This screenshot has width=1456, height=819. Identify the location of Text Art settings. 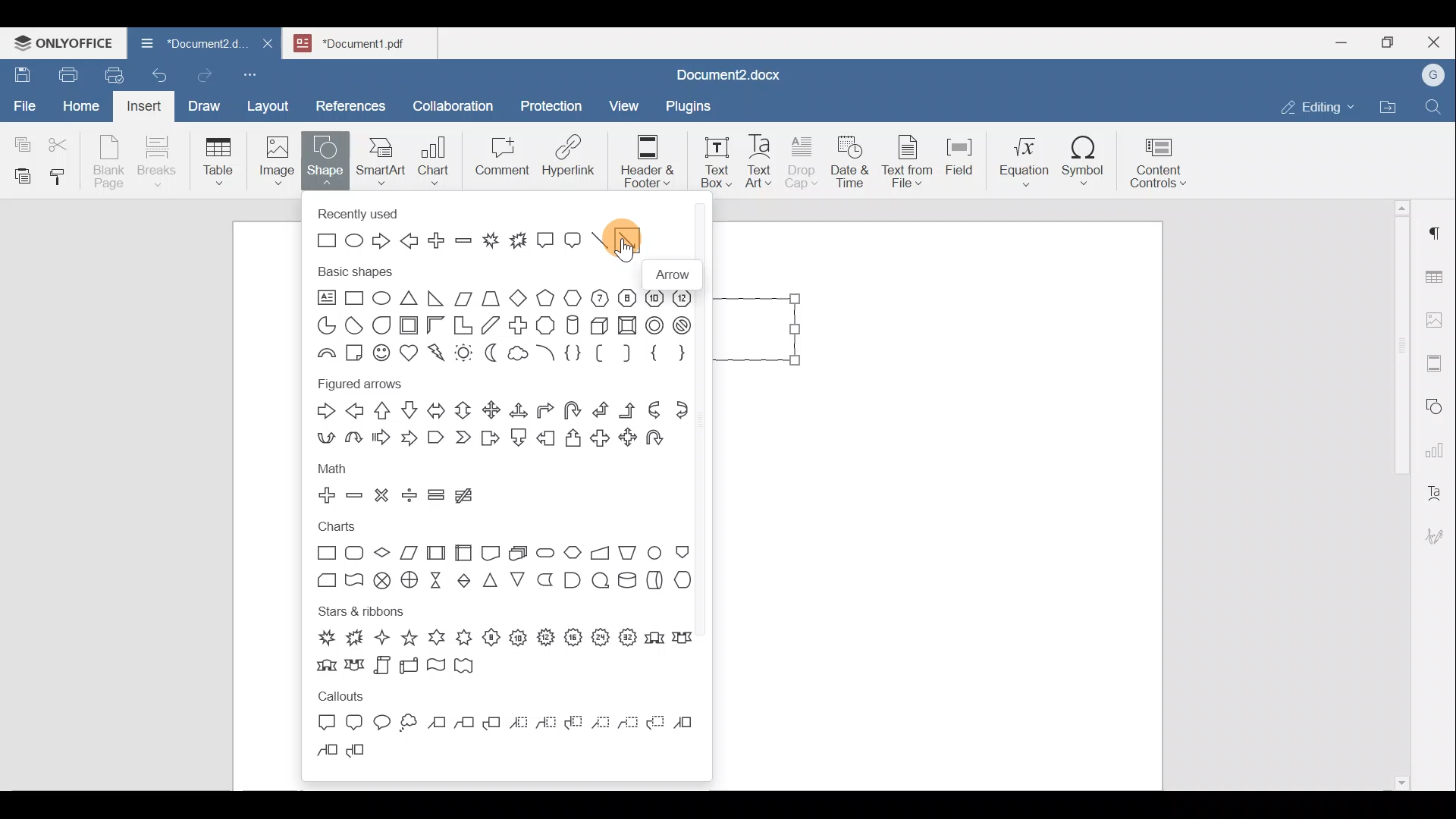
(1436, 487).